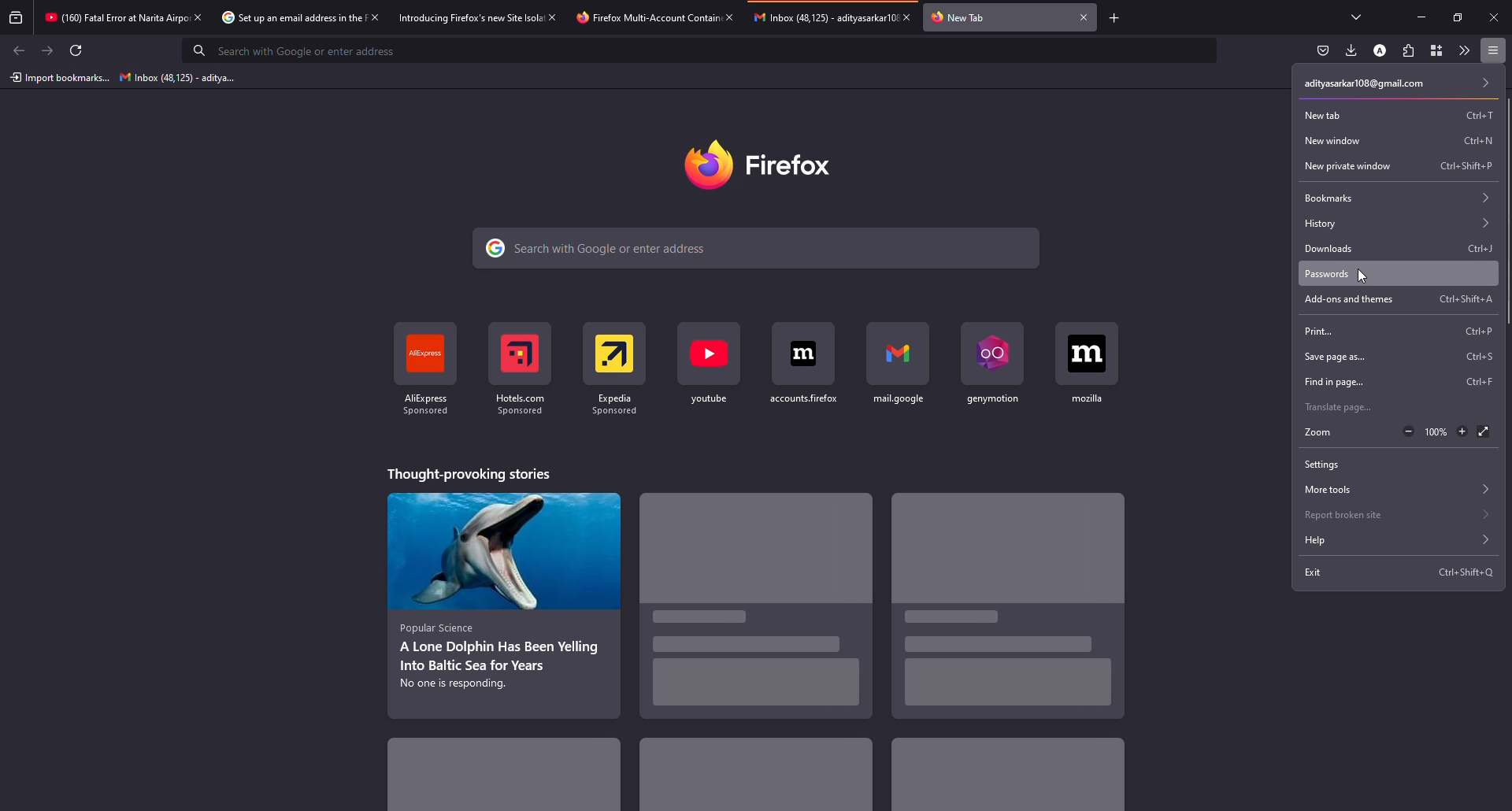 Image resolution: width=1512 pixels, height=811 pixels. Describe the element at coordinates (1337, 356) in the screenshot. I see `save page as` at that location.